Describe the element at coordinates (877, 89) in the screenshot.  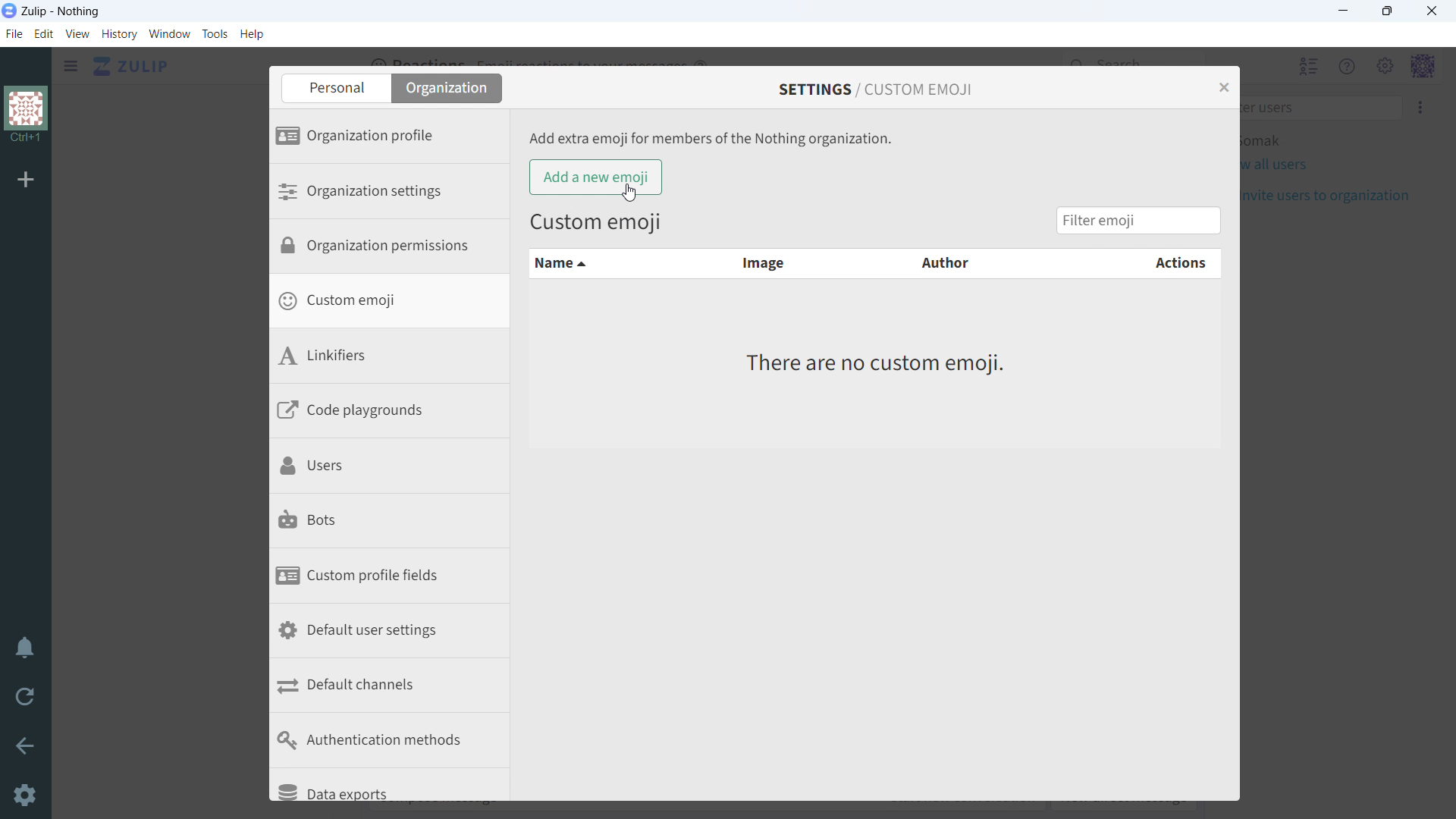
I see `settings/custom emoji` at that location.